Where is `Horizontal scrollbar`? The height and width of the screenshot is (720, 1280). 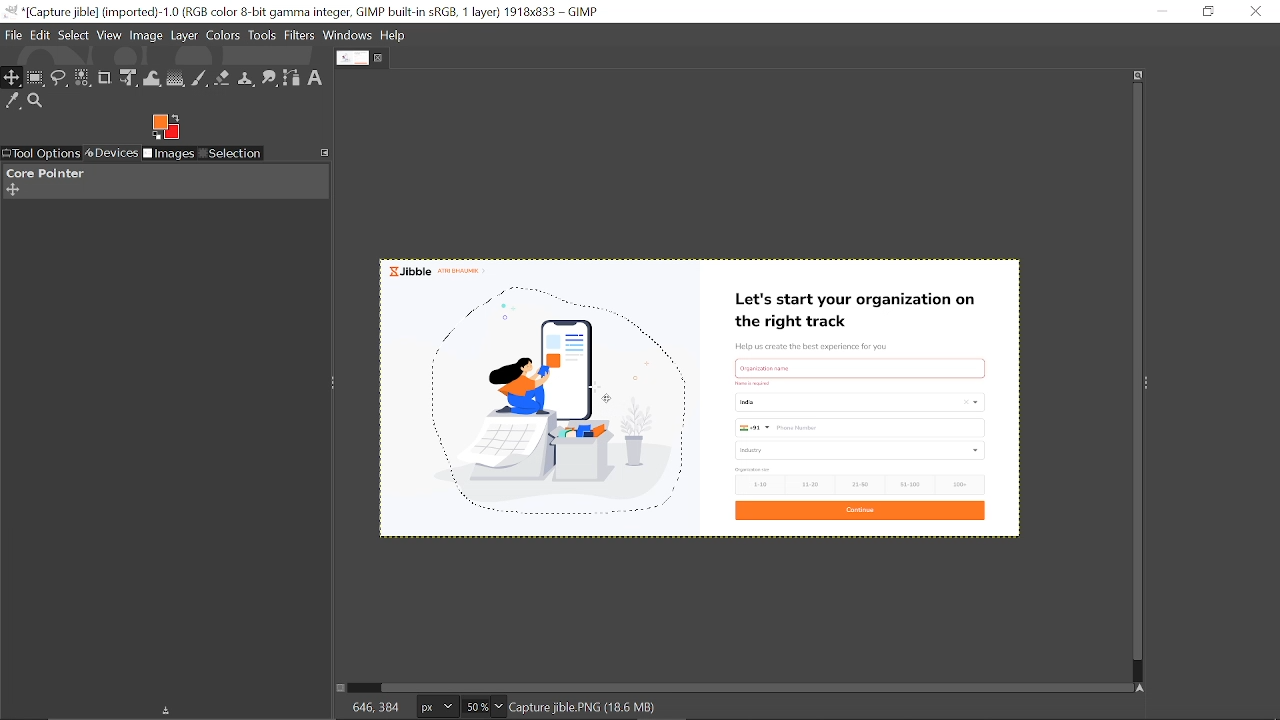
Horizontal scrollbar is located at coordinates (758, 687).